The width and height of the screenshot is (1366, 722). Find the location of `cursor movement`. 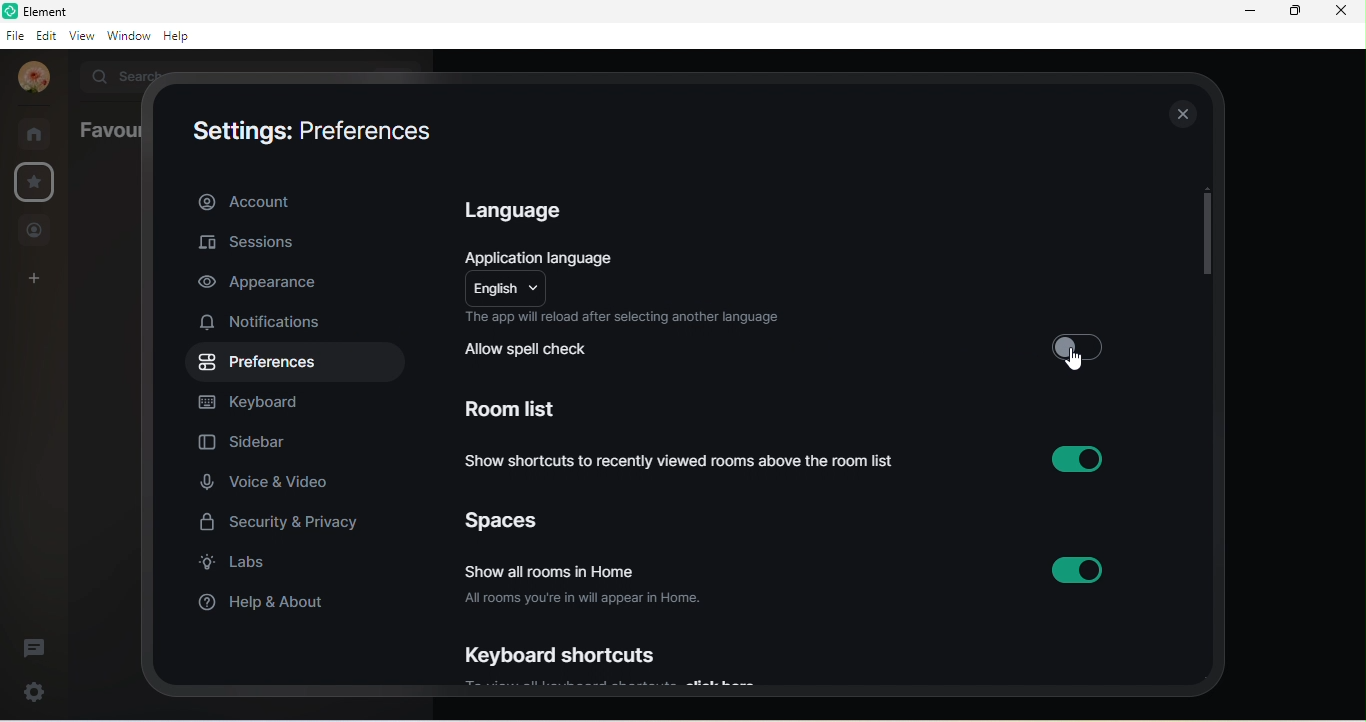

cursor movement is located at coordinates (1080, 360).